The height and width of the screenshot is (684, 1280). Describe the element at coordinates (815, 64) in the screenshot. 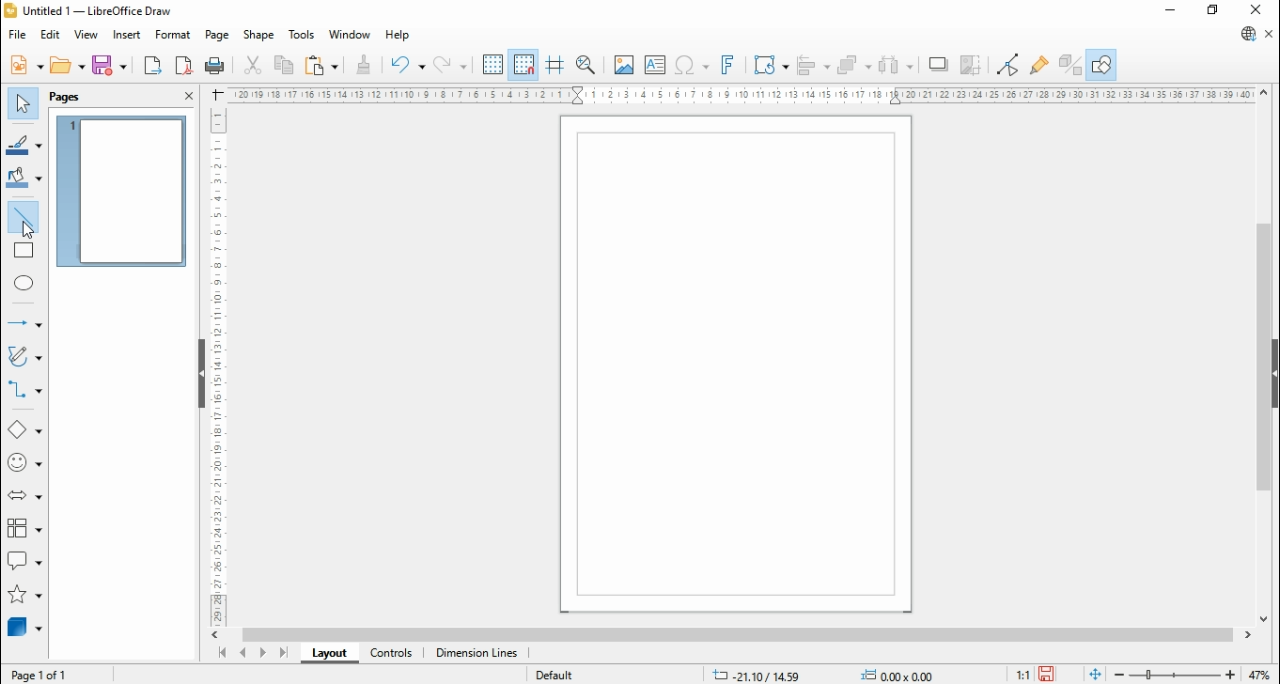

I see `align objects` at that location.